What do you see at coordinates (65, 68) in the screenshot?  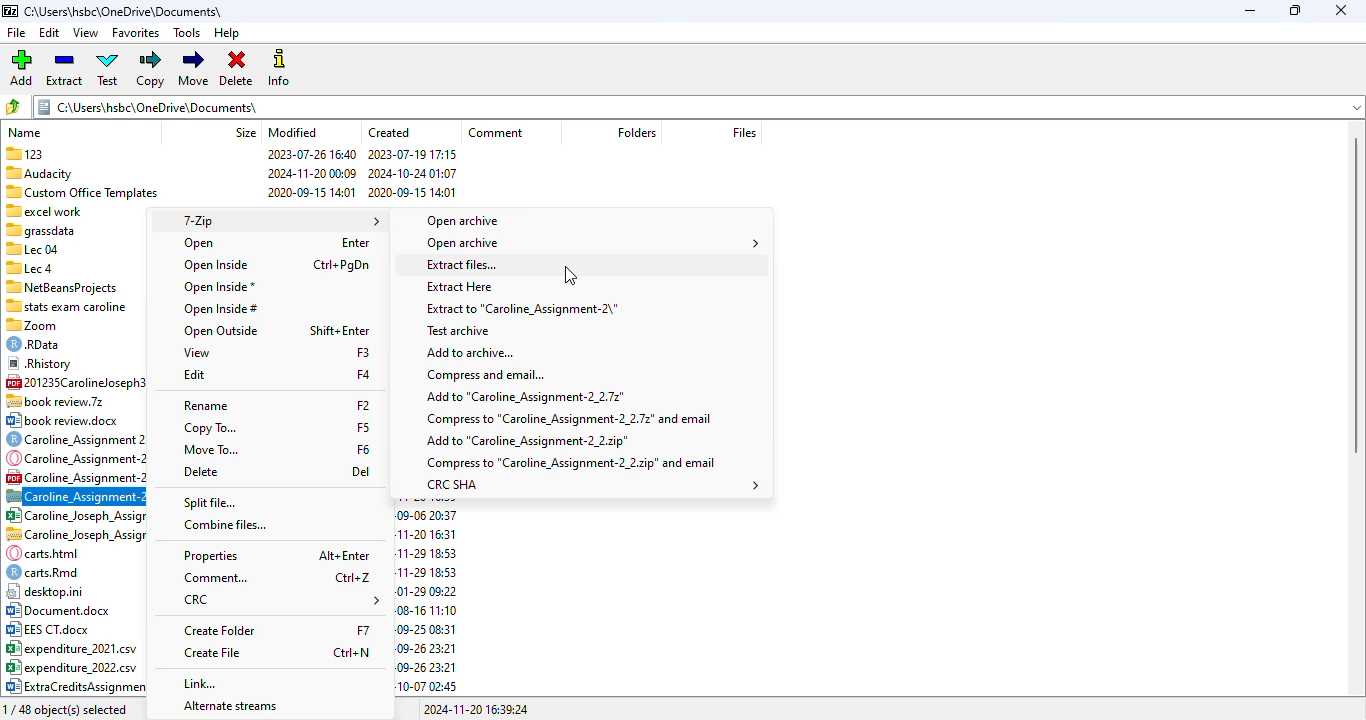 I see `extract` at bounding box center [65, 68].